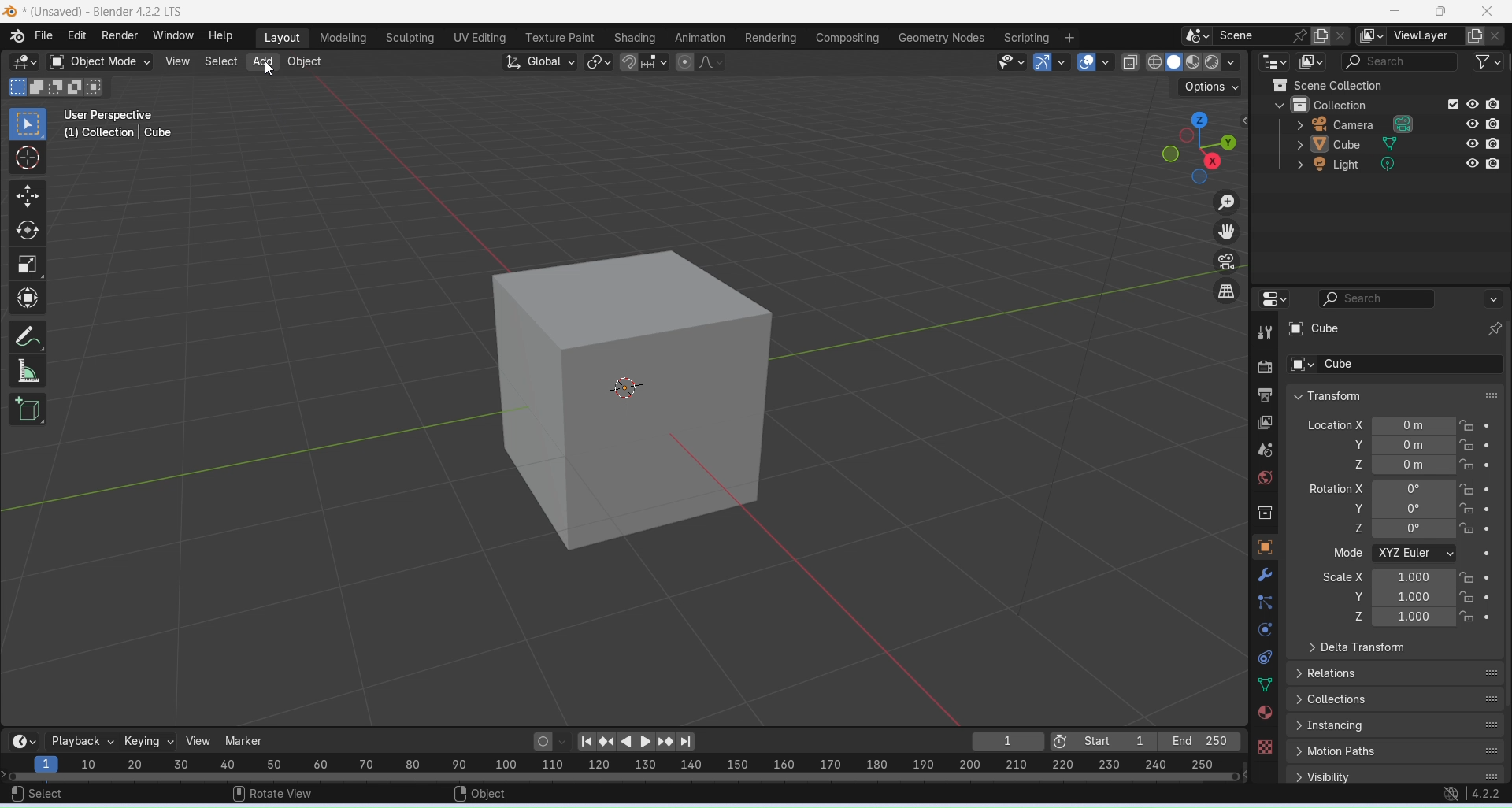 Image resolution: width=1512 pixels, height=808 pixels. I want to click on Object, so click(305, 61).